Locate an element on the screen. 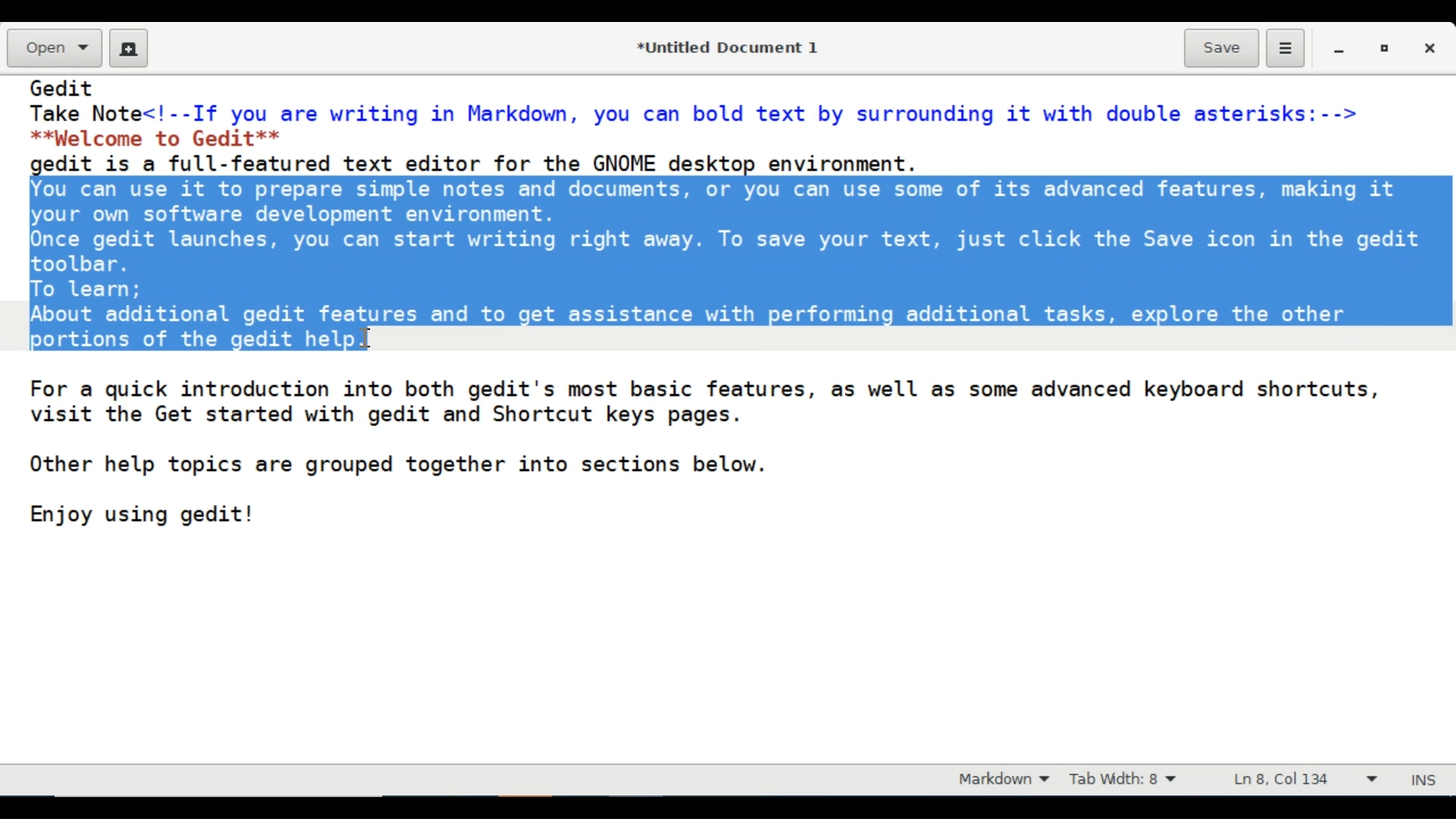 The image size is (1456, 819). Gedit Take Note<!--If you are writing in Markdown, you can bold text by surrounding it with double asterisks:--> **Welcome to Gedit** gedit is a full-featured text editor for the GNOME desktop environment. You can use it to prepare simple notes and documents, or you can use some of its advanced features, making it your own software development environment is located at coordinates (723, 419).